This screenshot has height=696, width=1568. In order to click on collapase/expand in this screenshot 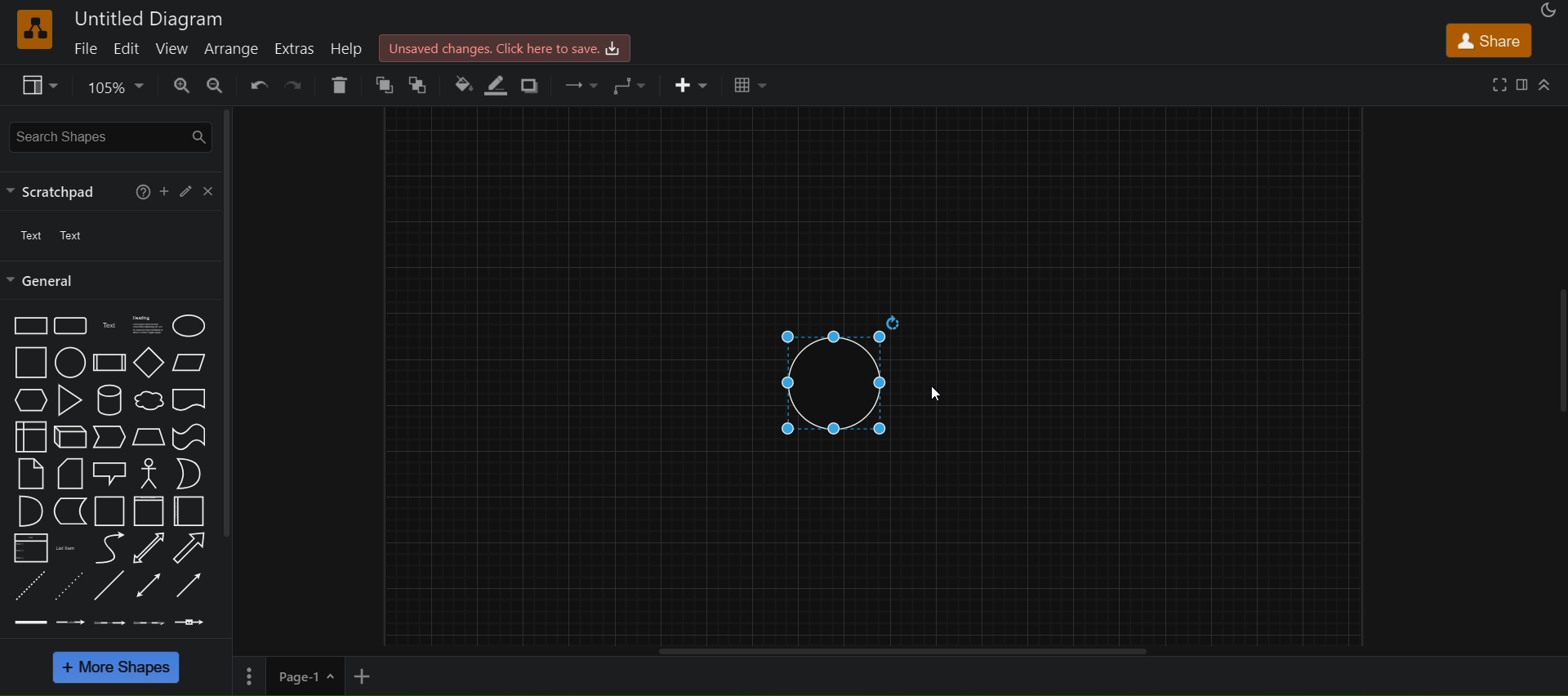, I will do `click(1545, 84)`.